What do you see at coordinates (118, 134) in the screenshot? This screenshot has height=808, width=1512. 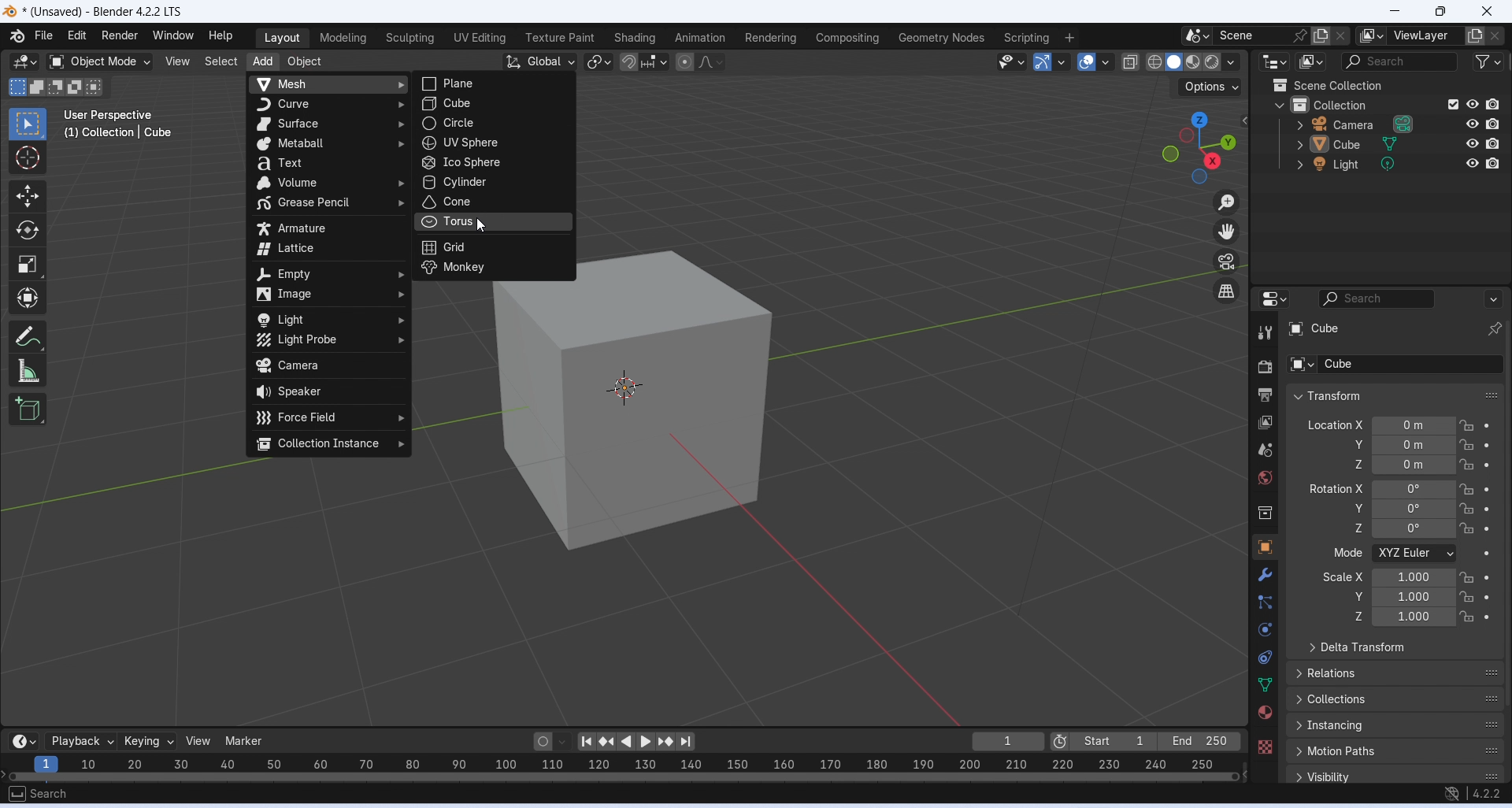 I see `(1) Collection | Cube` at bounding box center [118, 134].